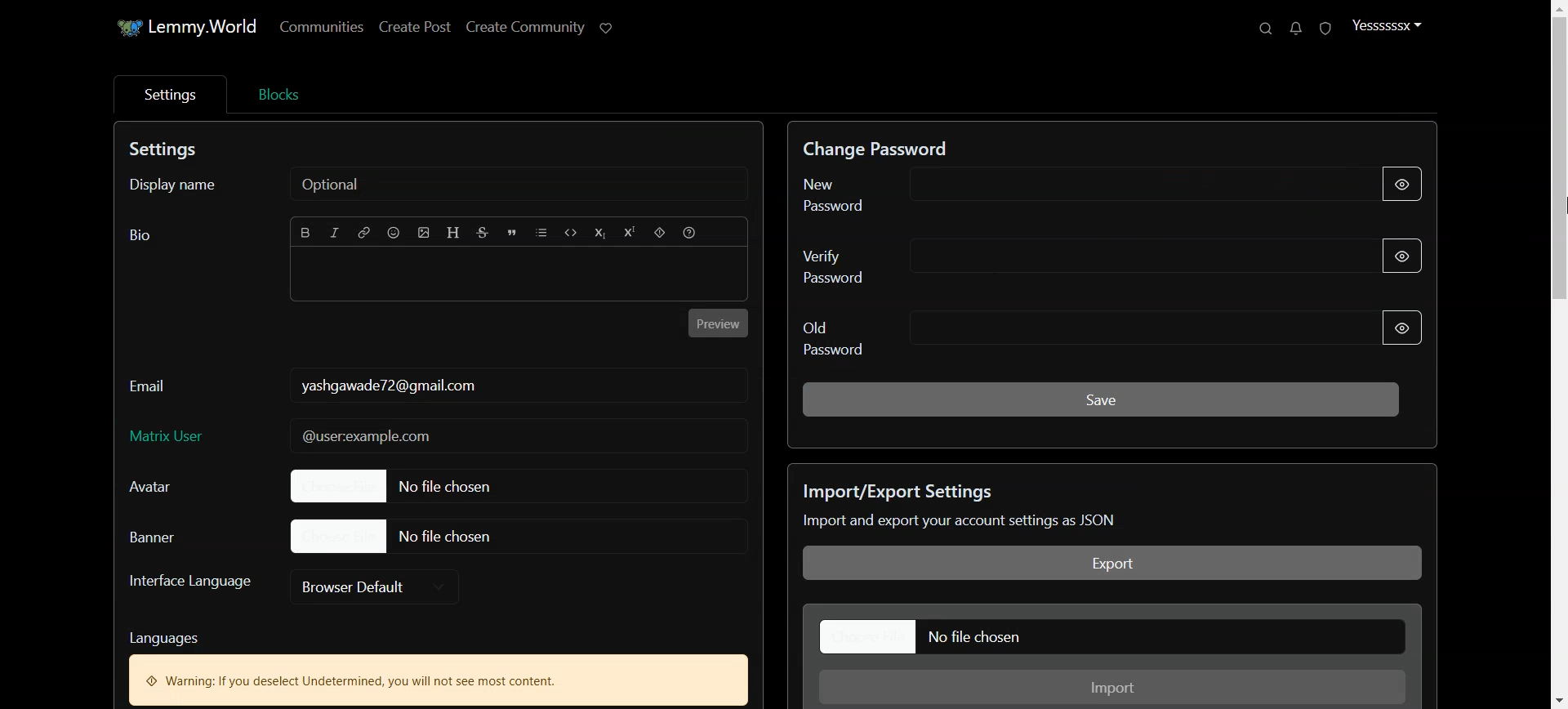 The height and width of the screenshot is (709, 1568). Describe the element at coordinates (452, 232) in the screenshot. I see `Header` at that location.